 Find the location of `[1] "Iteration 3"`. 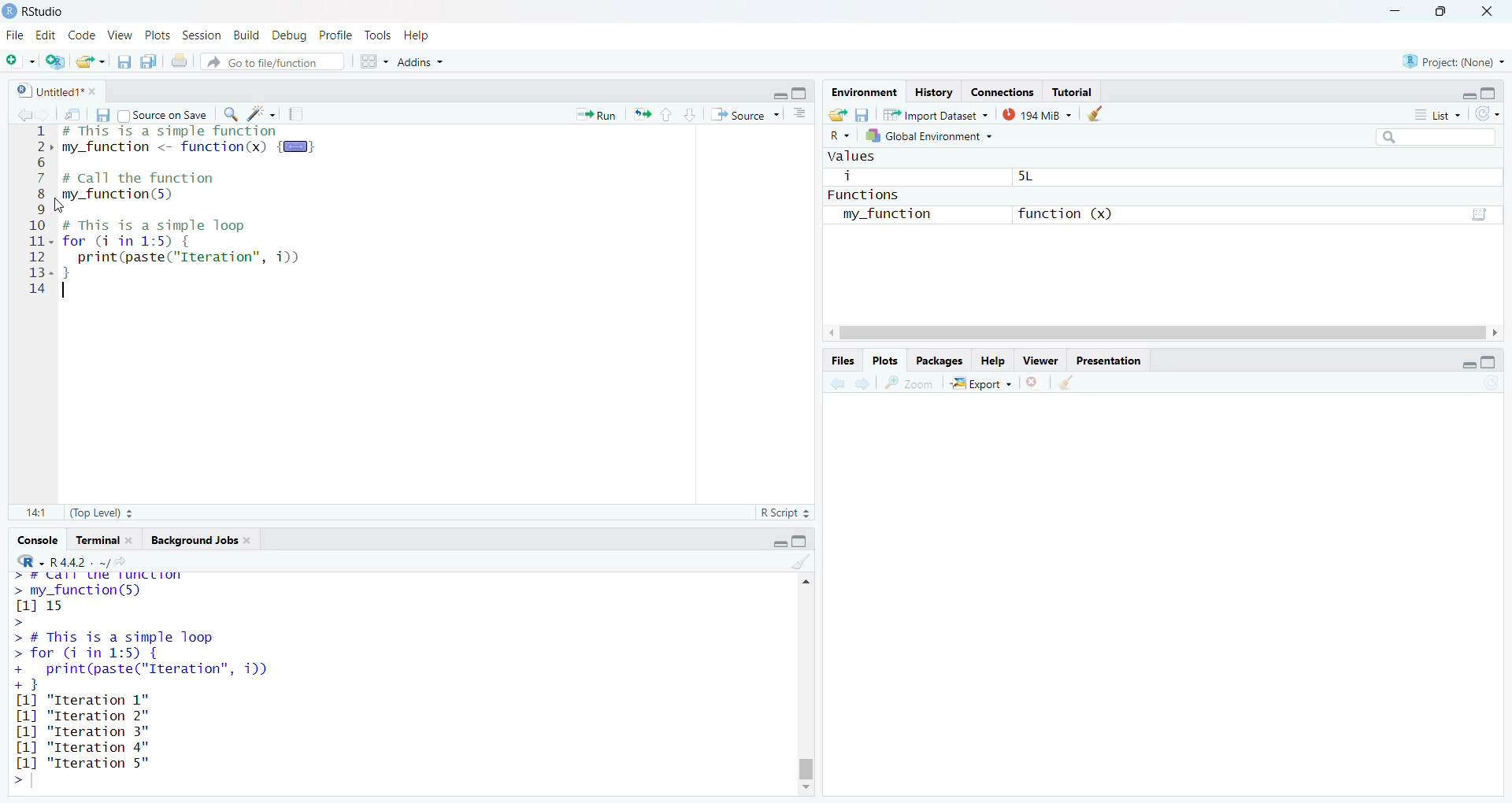

[1] "Iteration 3" is located at coordinates (80, 747).